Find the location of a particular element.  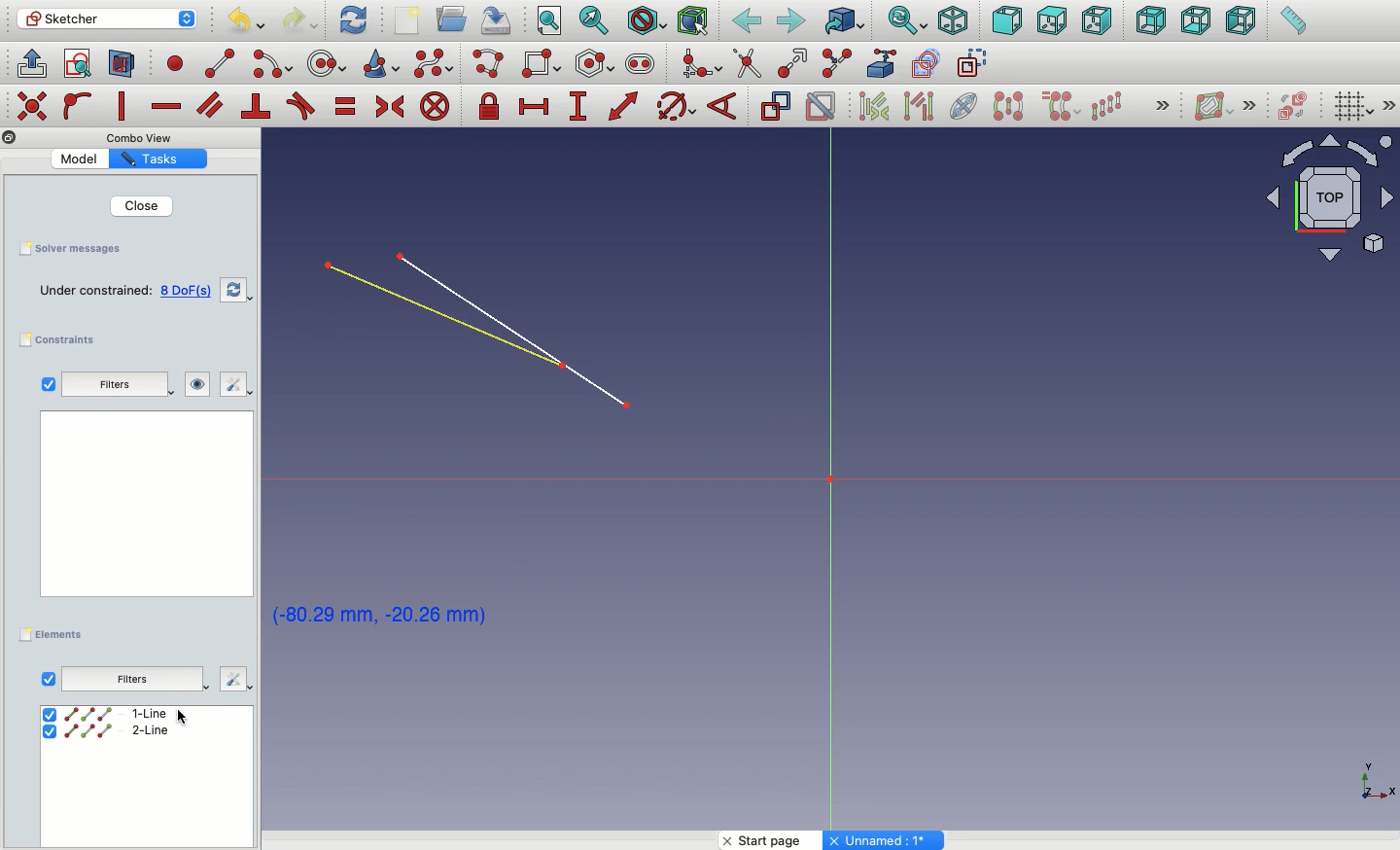

Right is located at coordinates (1098, 22).